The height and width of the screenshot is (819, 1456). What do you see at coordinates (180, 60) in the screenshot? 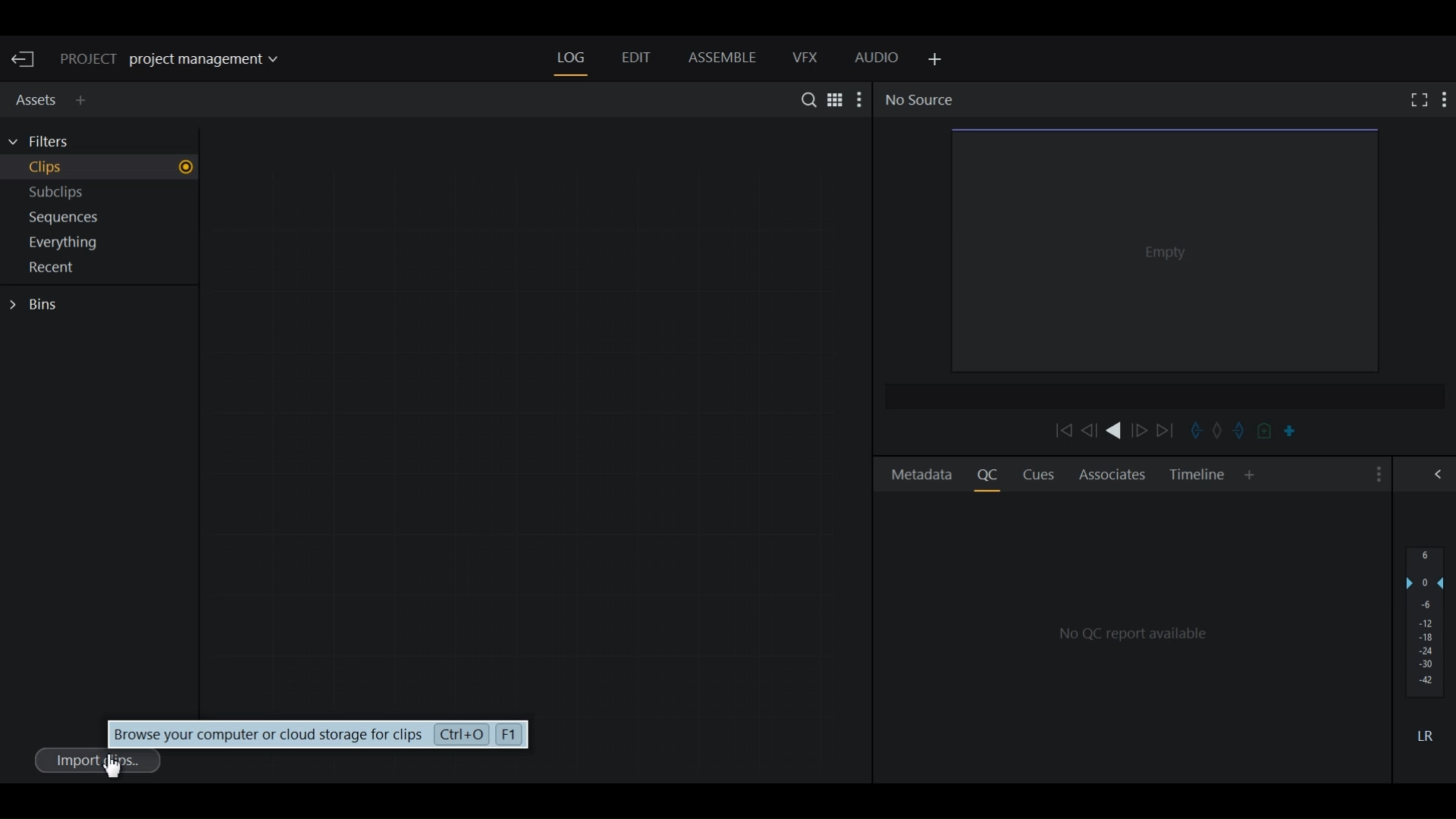
I see `Show/change current project details` at bounding box center [180, 60].